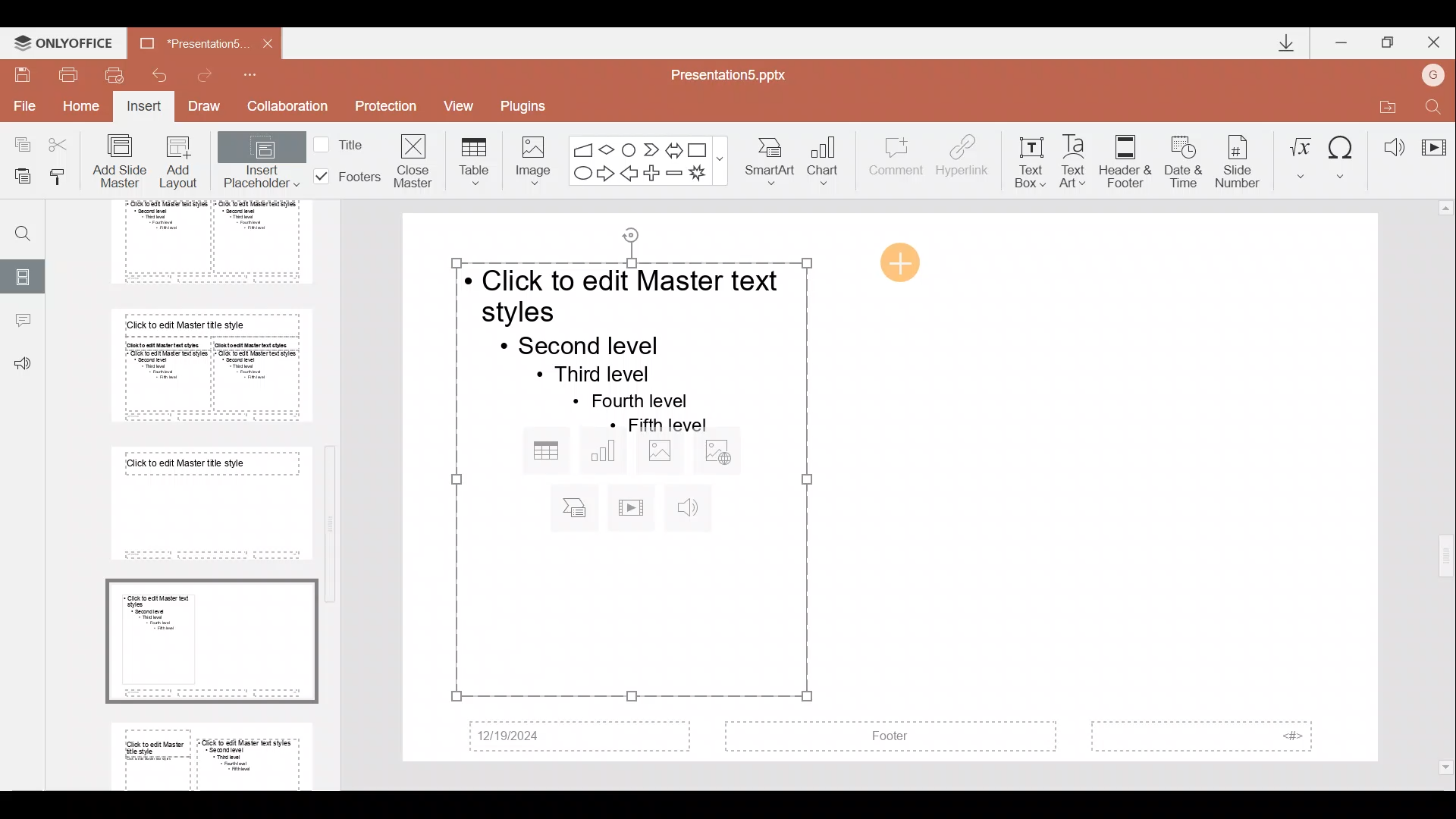 Image resolution: width=1456 pixels, height=819 pixels. What do you see at coordinates (415, 160) in the screenshot?
I see `Close masters` at bounding box center [415, 160].